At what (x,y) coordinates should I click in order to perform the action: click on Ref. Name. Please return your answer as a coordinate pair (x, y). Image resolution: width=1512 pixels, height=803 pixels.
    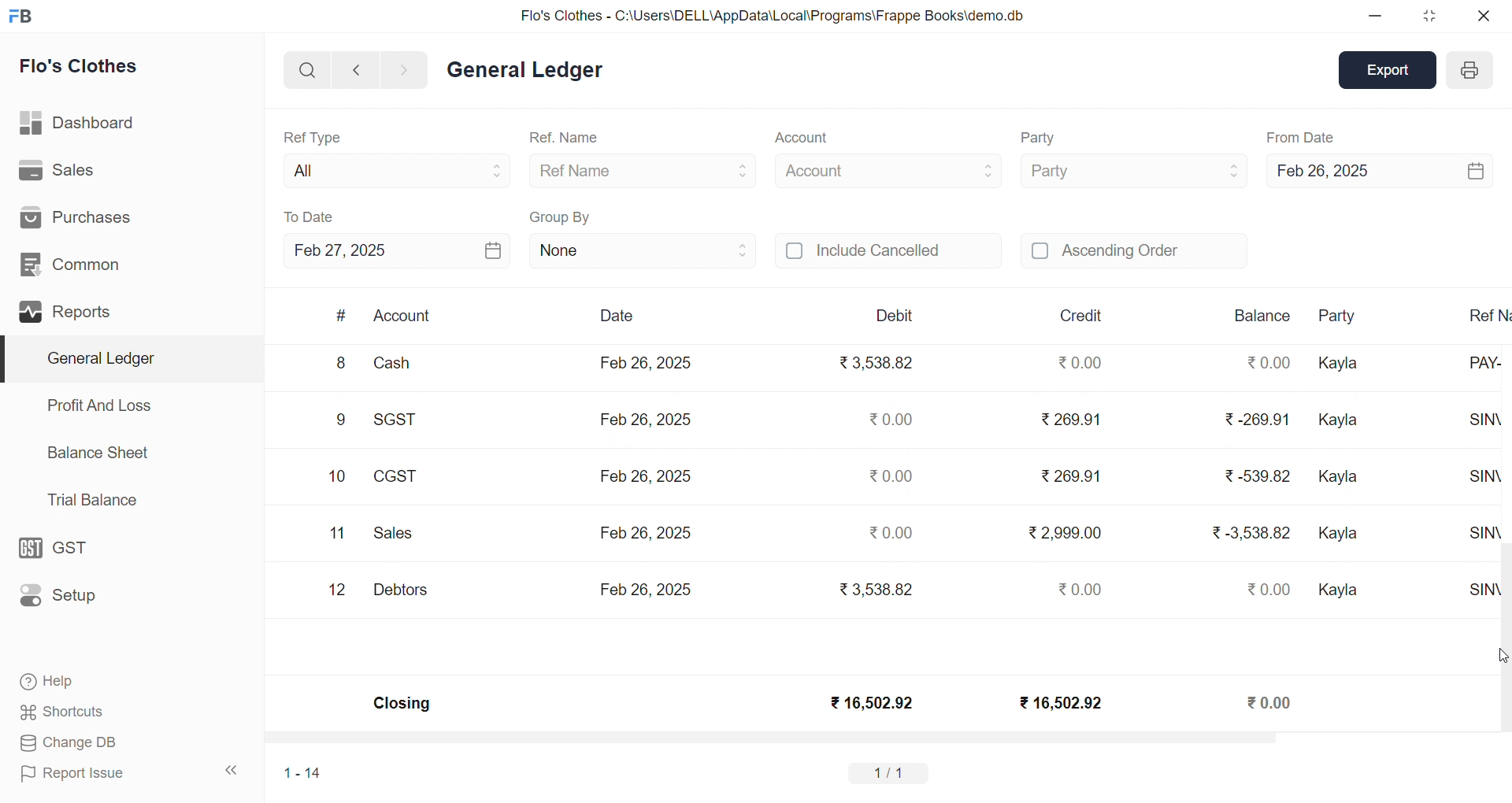
    Looking at the image, I should click on (565, 139).